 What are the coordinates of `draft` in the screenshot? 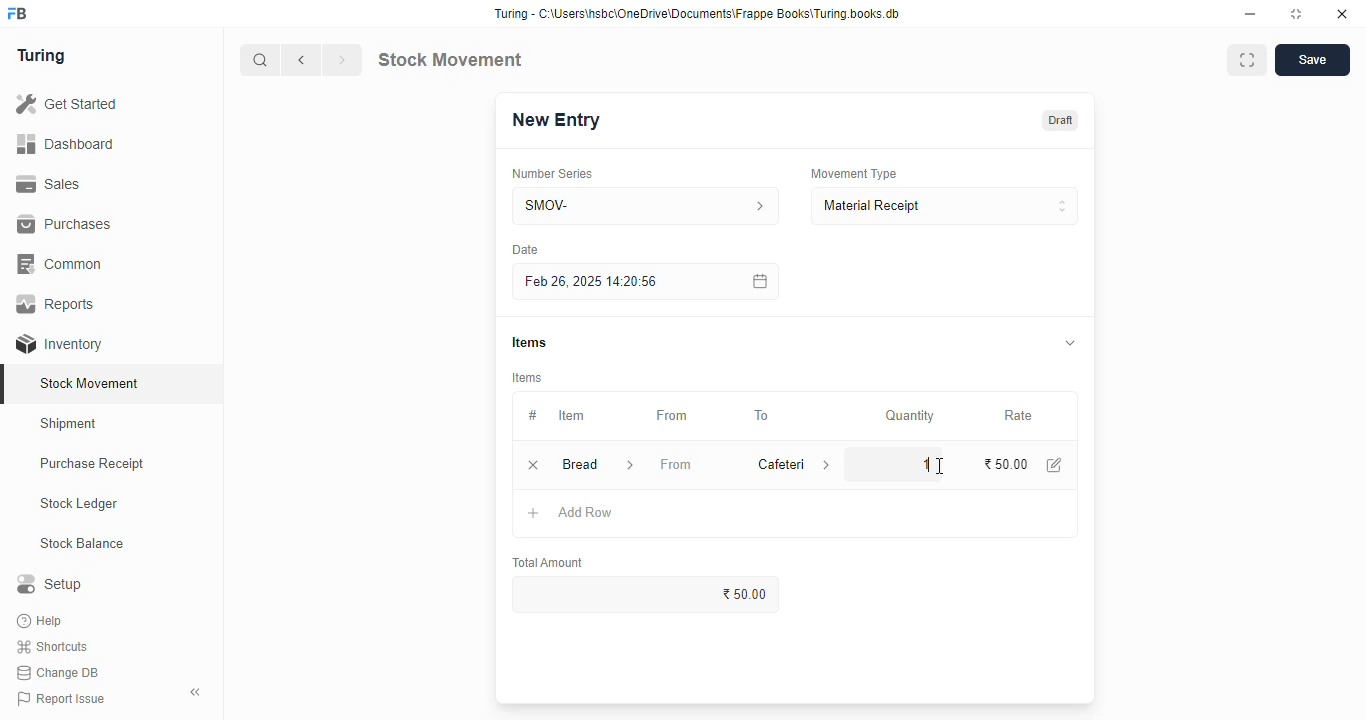 It's located at (1062, 120).